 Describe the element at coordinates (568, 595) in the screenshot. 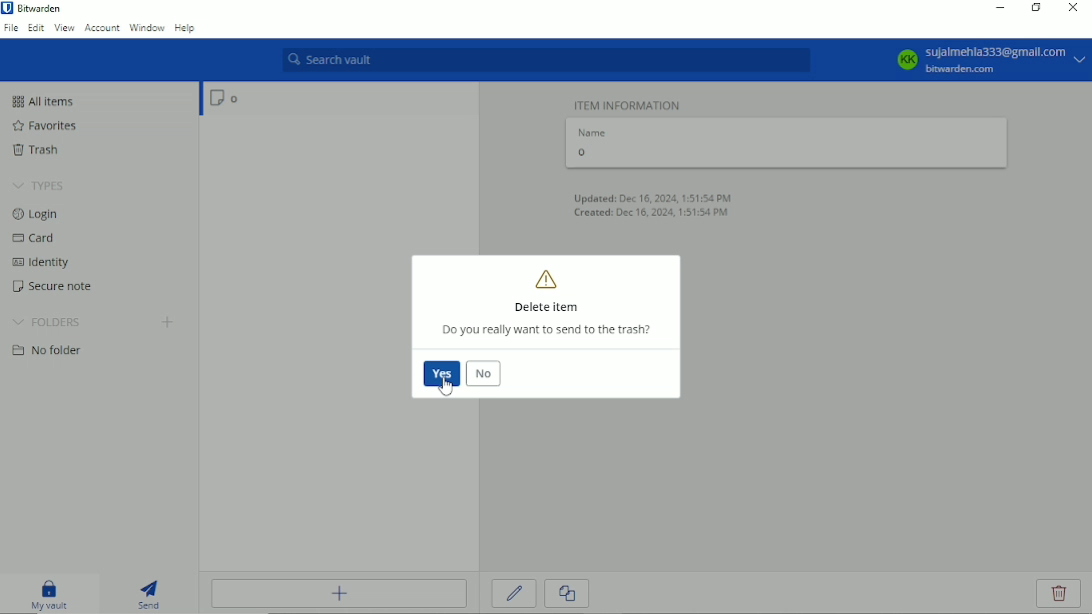

I see `Clone` at that location.